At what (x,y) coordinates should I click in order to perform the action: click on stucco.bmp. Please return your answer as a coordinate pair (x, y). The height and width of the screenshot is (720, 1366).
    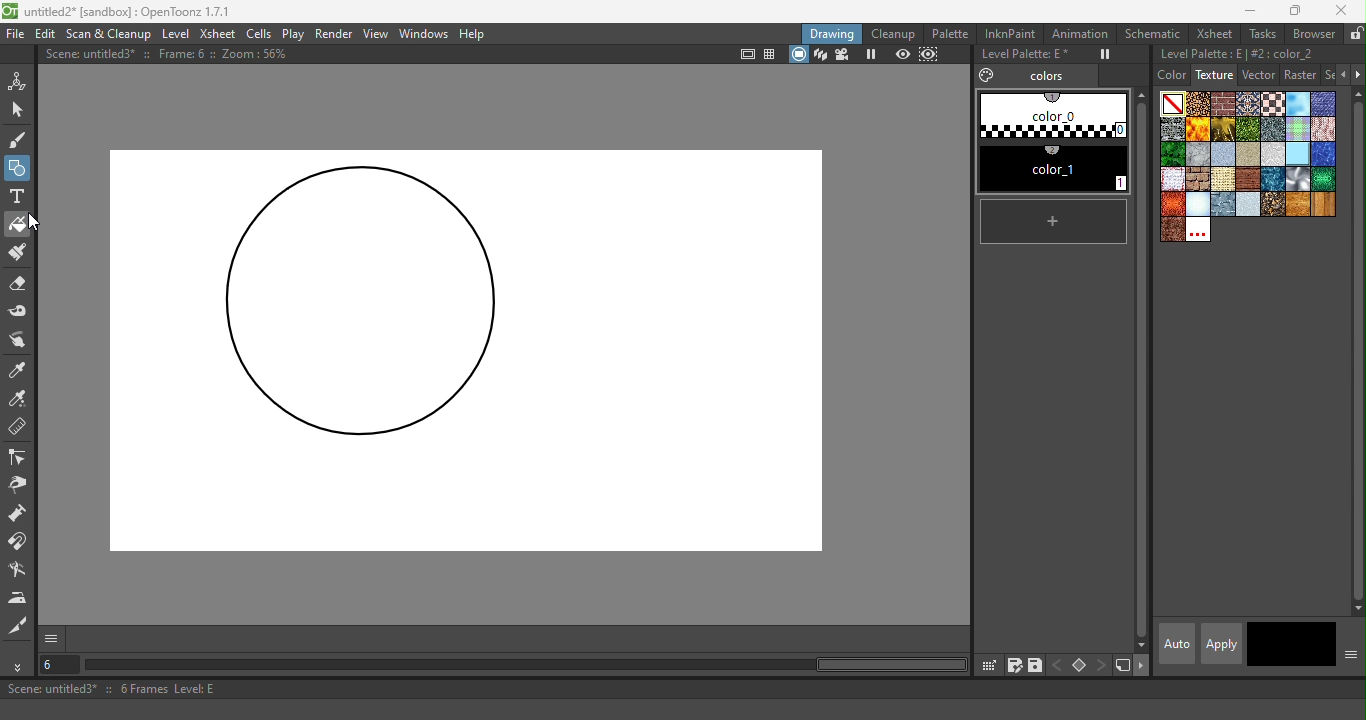
    Looking at the image, I should click on (1249, 205).